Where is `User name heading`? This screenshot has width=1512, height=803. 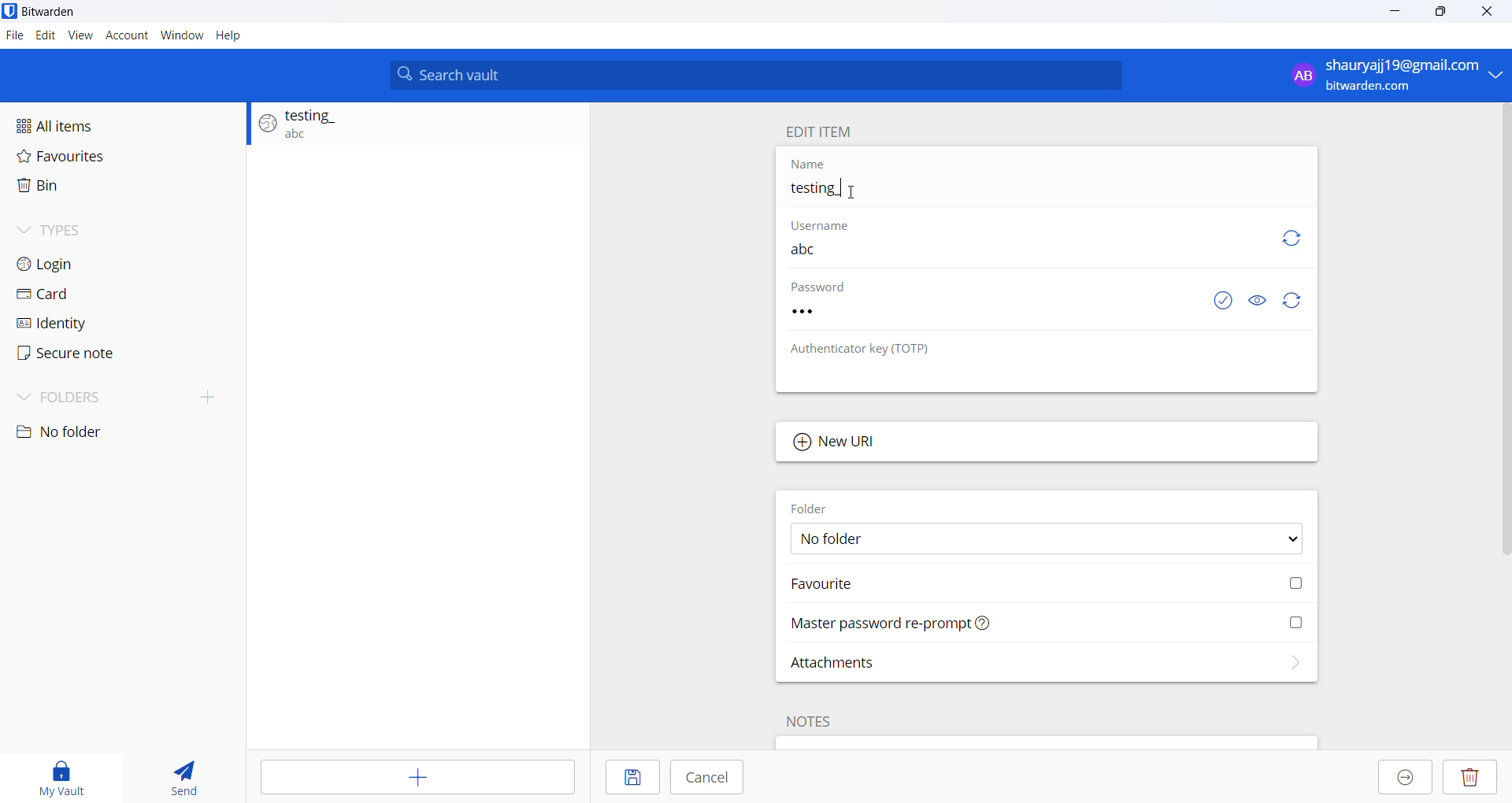
User name heading is located at coordinates (814, 227).